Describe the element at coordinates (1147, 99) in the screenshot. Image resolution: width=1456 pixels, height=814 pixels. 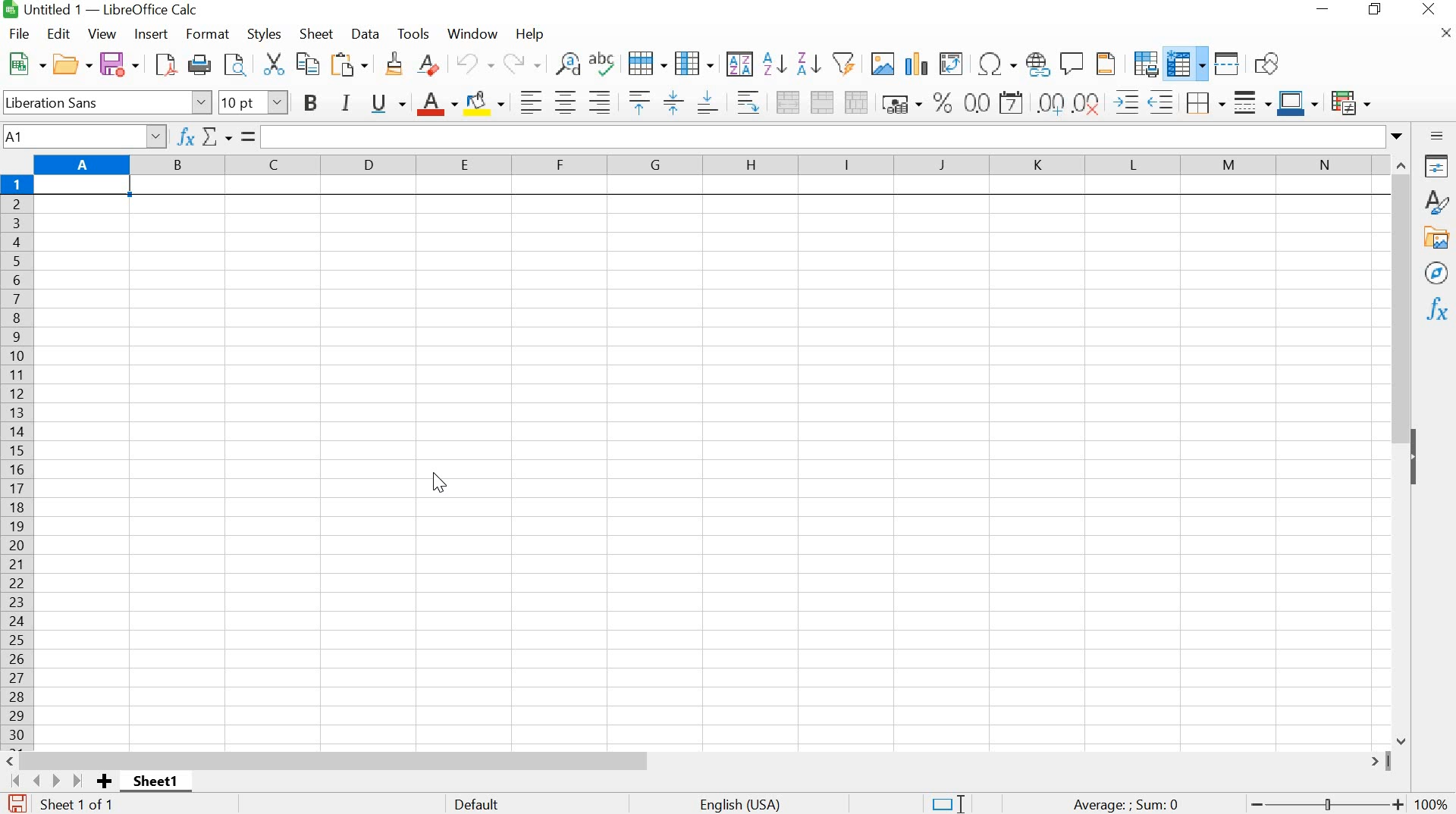
I see `INCREASE INDENT` at that location.